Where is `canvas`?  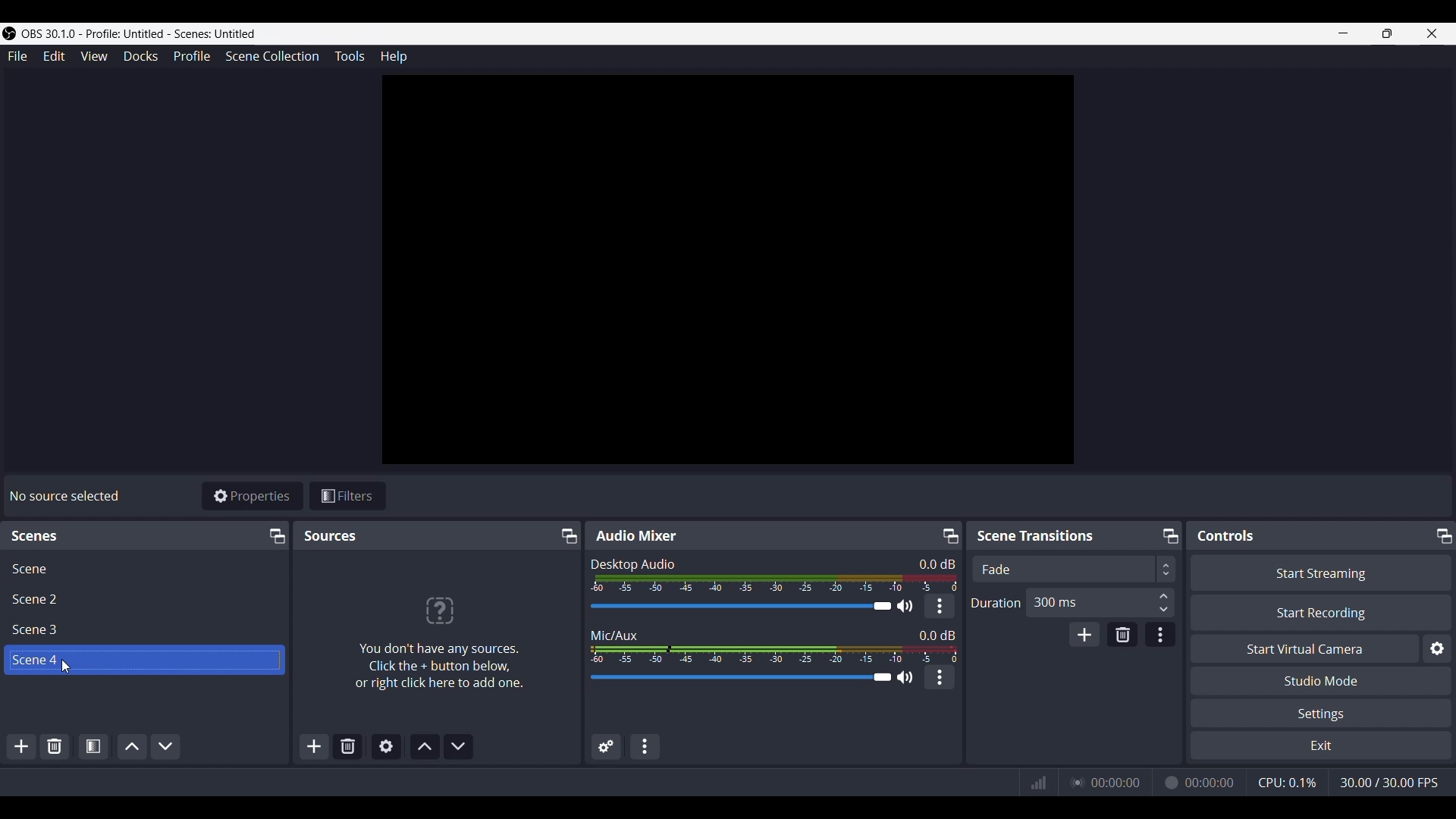
canvas is located at coordinates (730, 269).